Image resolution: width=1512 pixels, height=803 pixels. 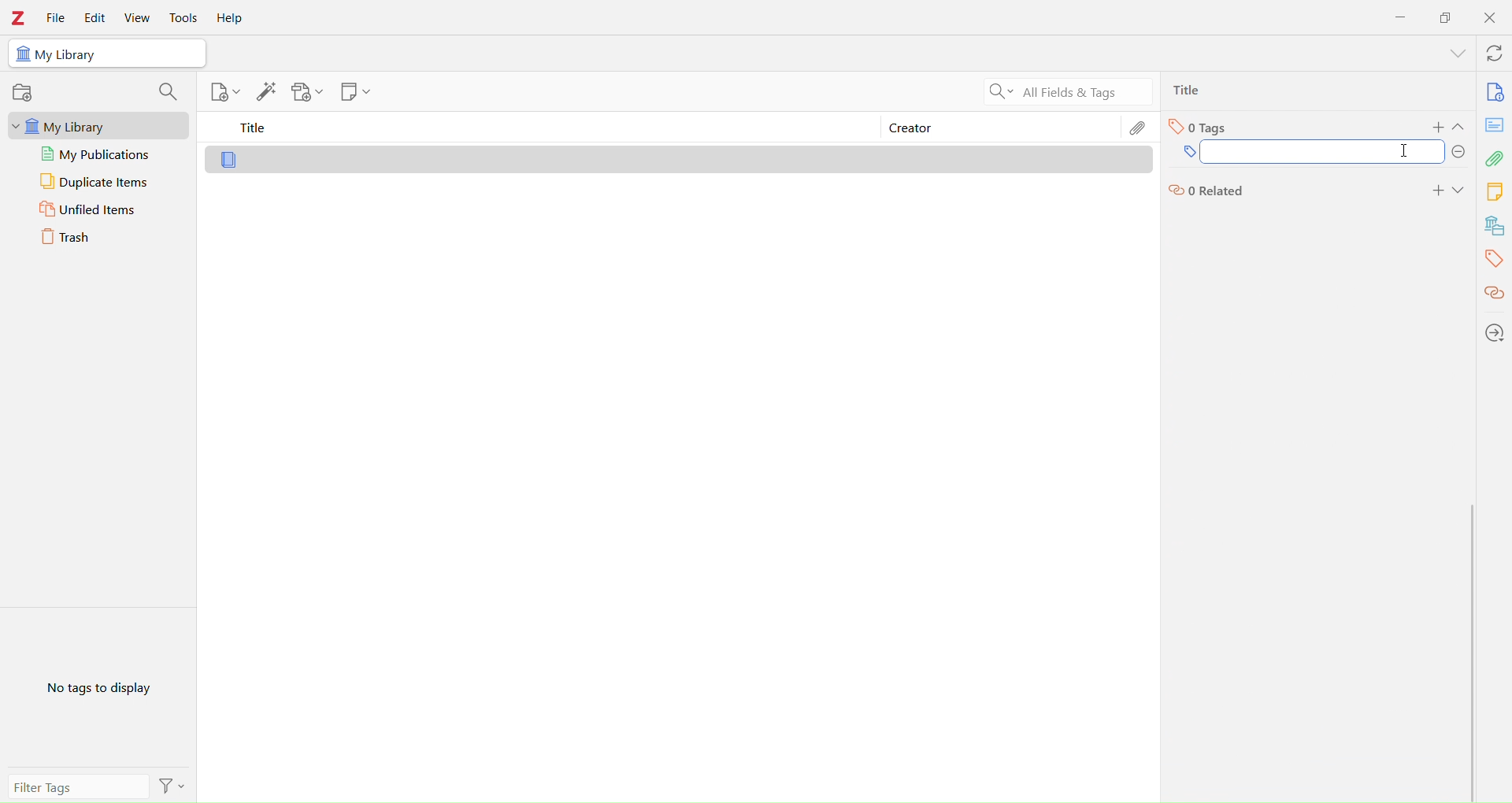 I want to click on Tags, so click(x=1205, y=130).